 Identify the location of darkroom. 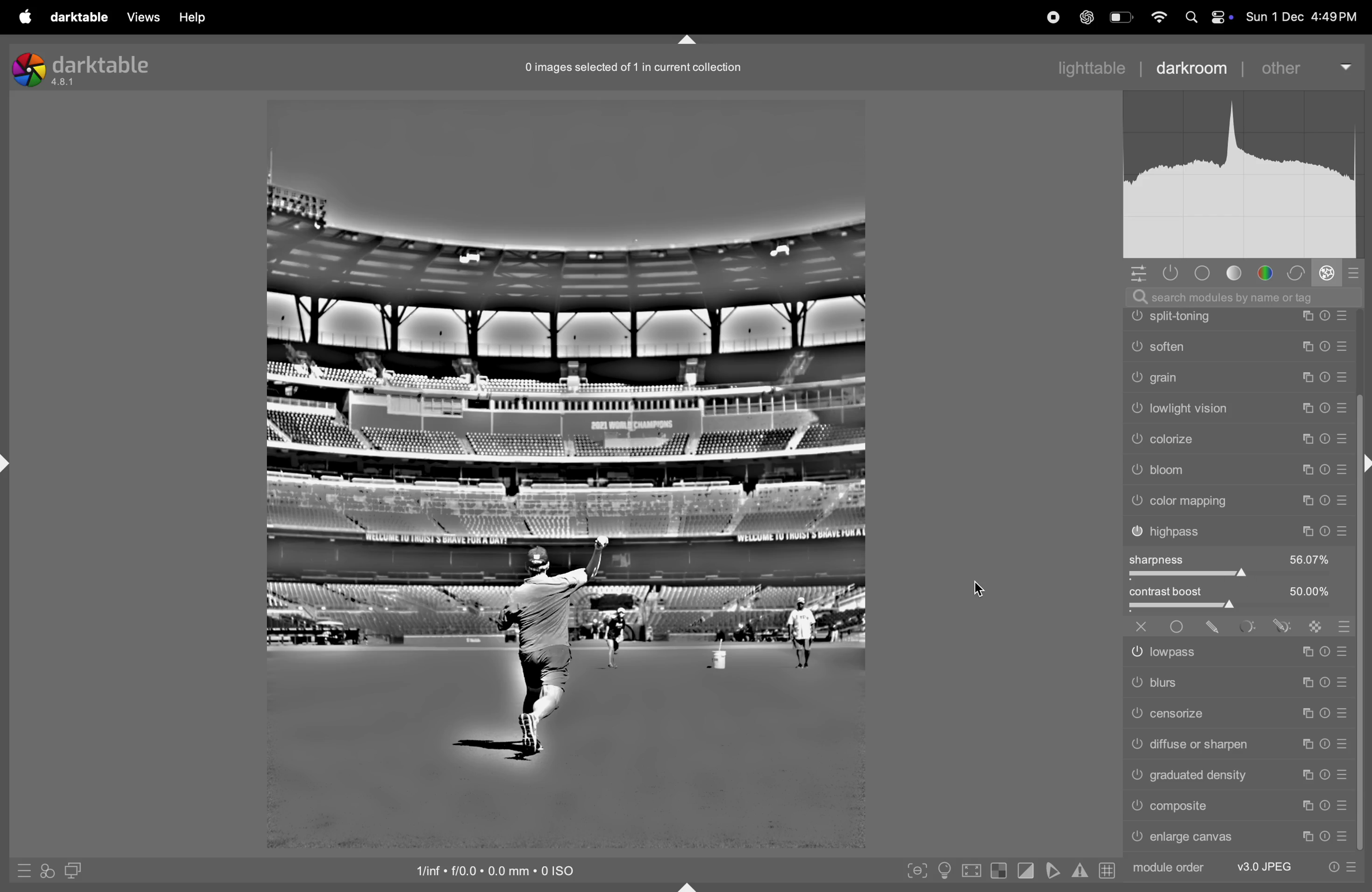
(1189, 66).